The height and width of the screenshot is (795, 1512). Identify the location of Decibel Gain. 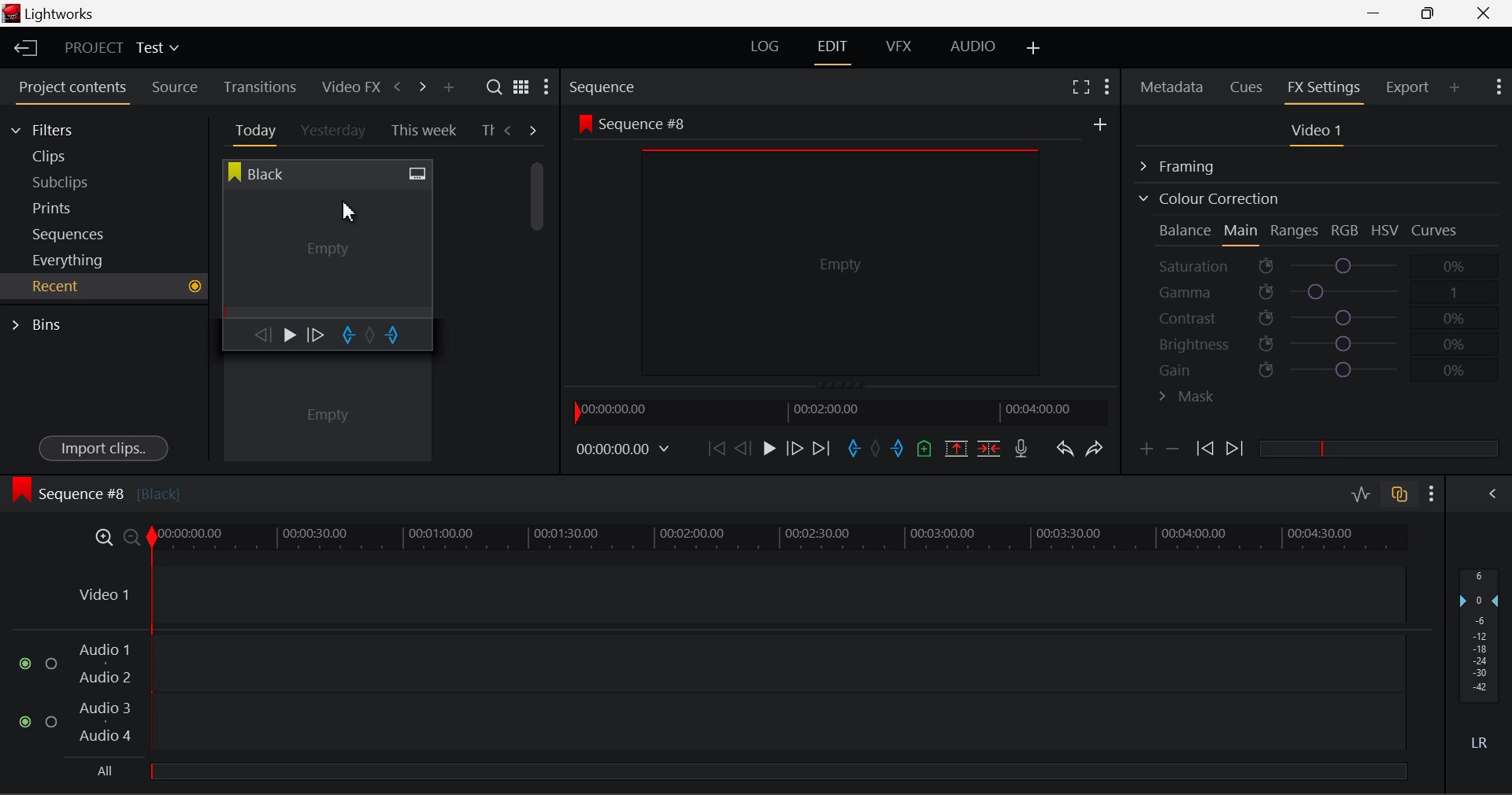
(1478, 663).